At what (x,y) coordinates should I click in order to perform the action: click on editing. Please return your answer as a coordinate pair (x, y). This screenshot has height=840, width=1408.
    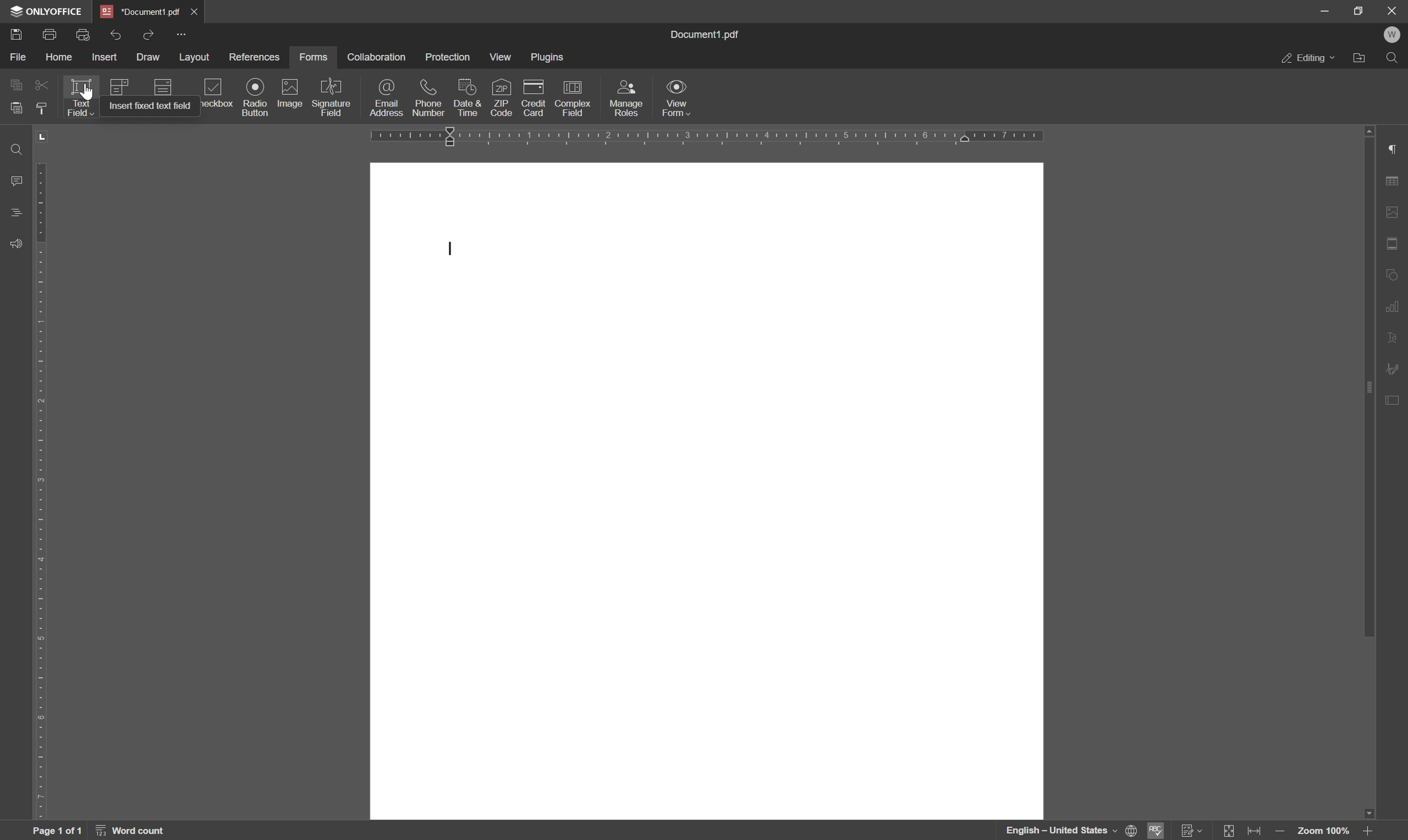
    Looking at the image, I should click on (1308, 59).